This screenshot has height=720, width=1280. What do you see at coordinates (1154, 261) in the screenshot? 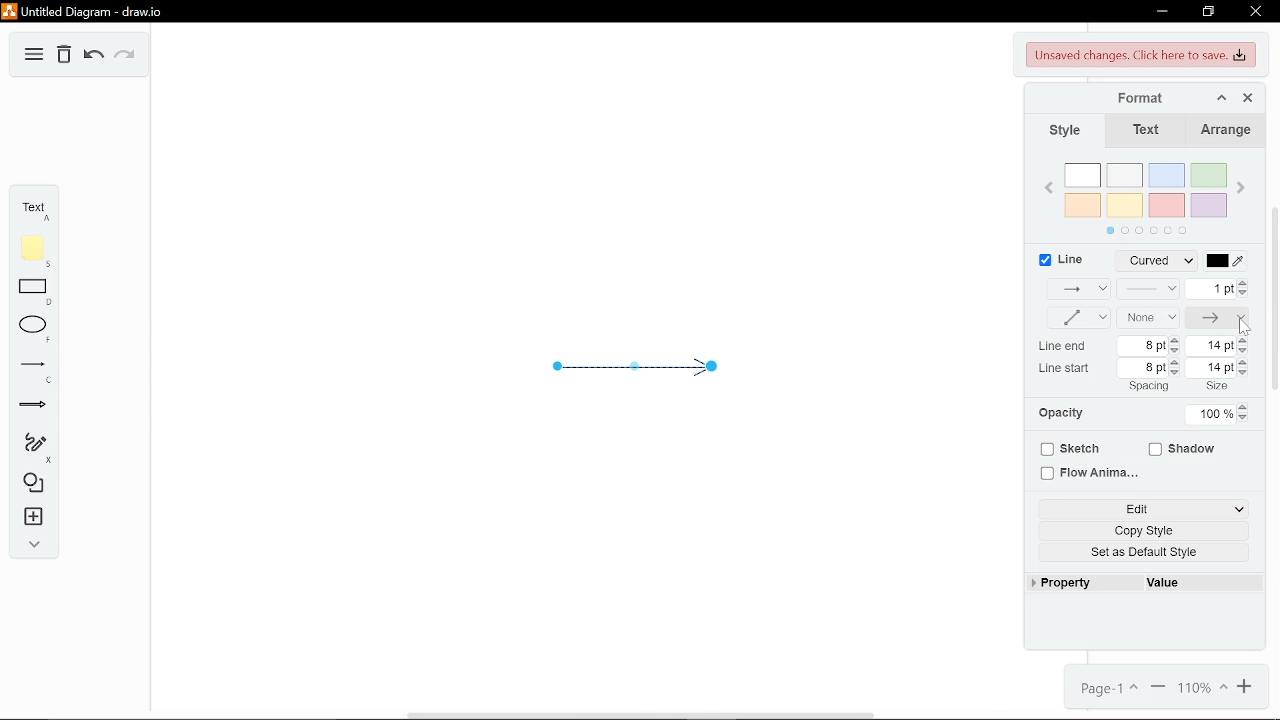
I see `Line style(curved)` at bounding box center [1154, 261].